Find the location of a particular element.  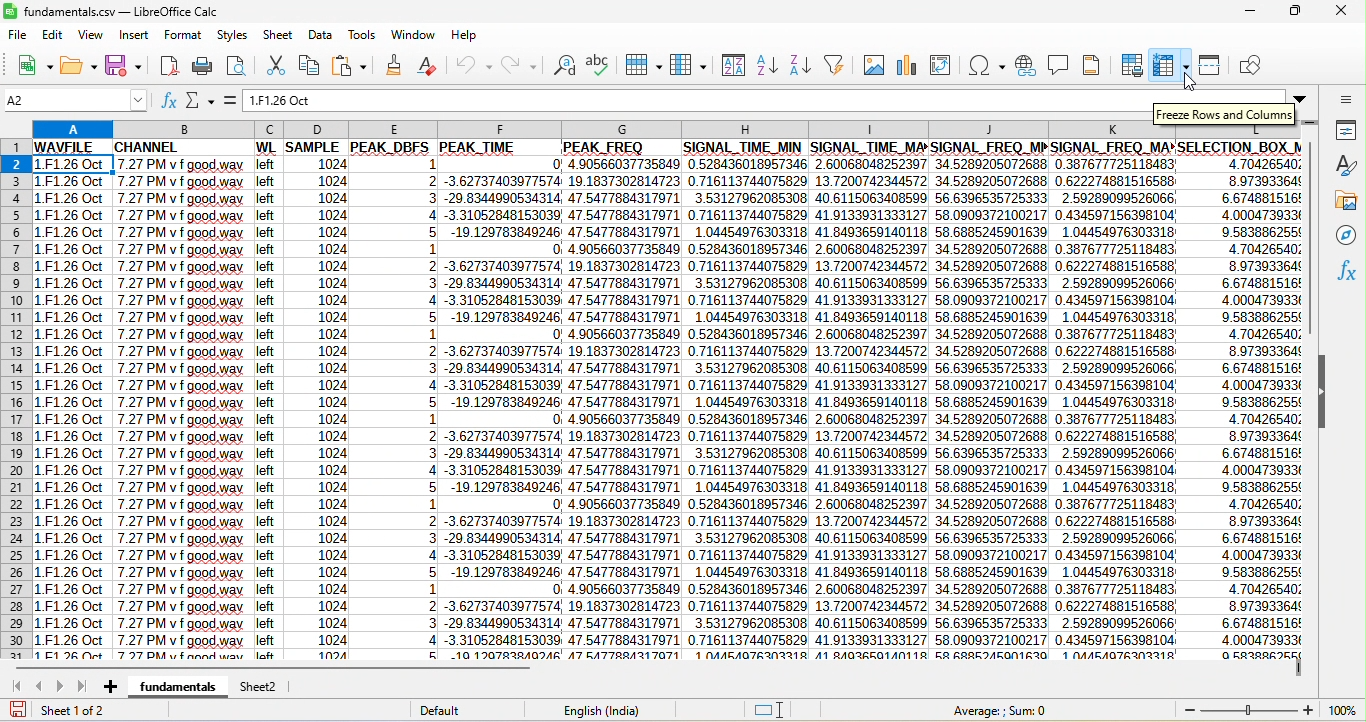

special character is located at coordinates (987, 65).